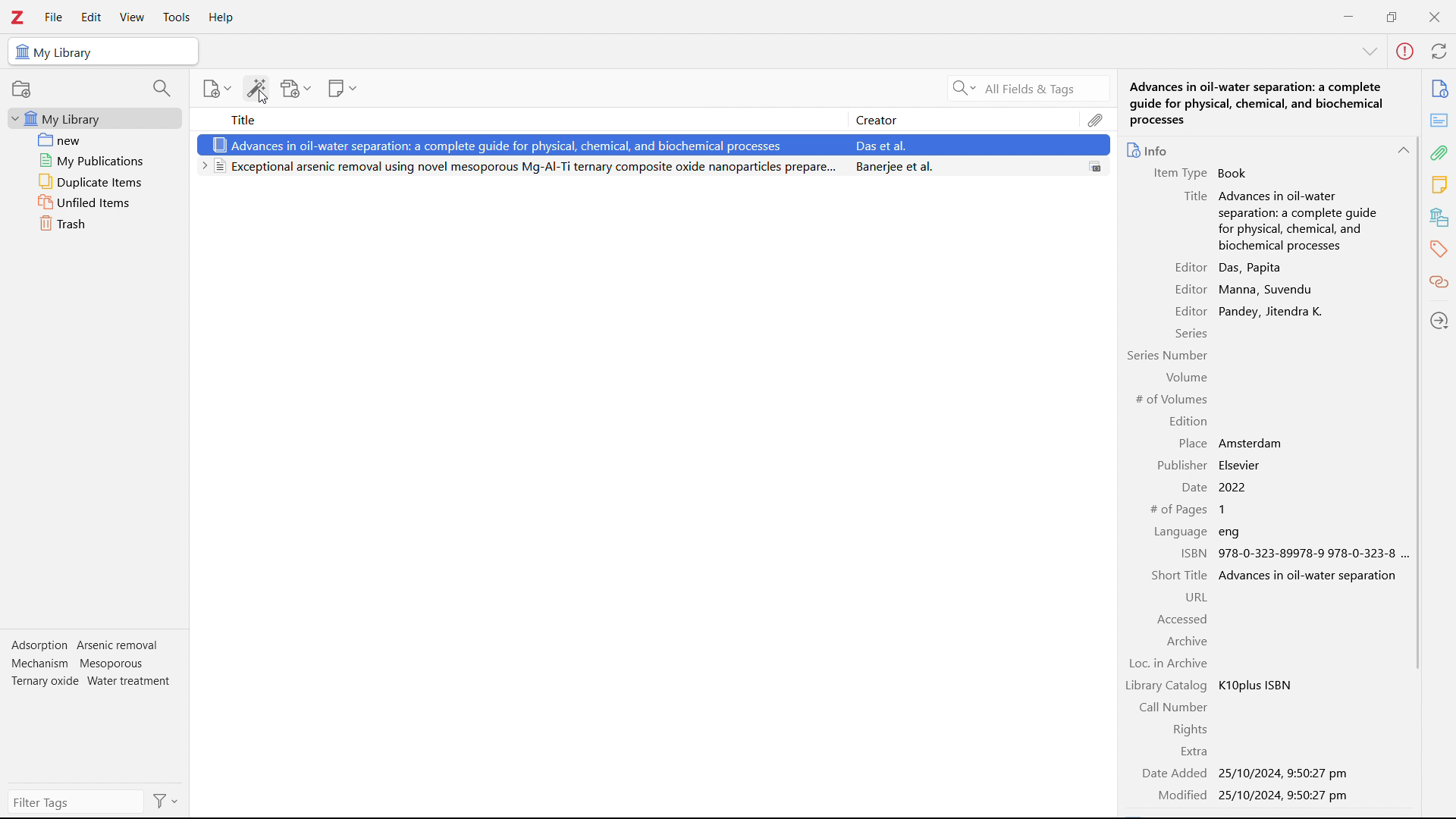 The image size is (1456, 819). What do you see at coordinates (1404, 52) in the screenshot?
I see `error in sync` at bounding box center [1404, 52].